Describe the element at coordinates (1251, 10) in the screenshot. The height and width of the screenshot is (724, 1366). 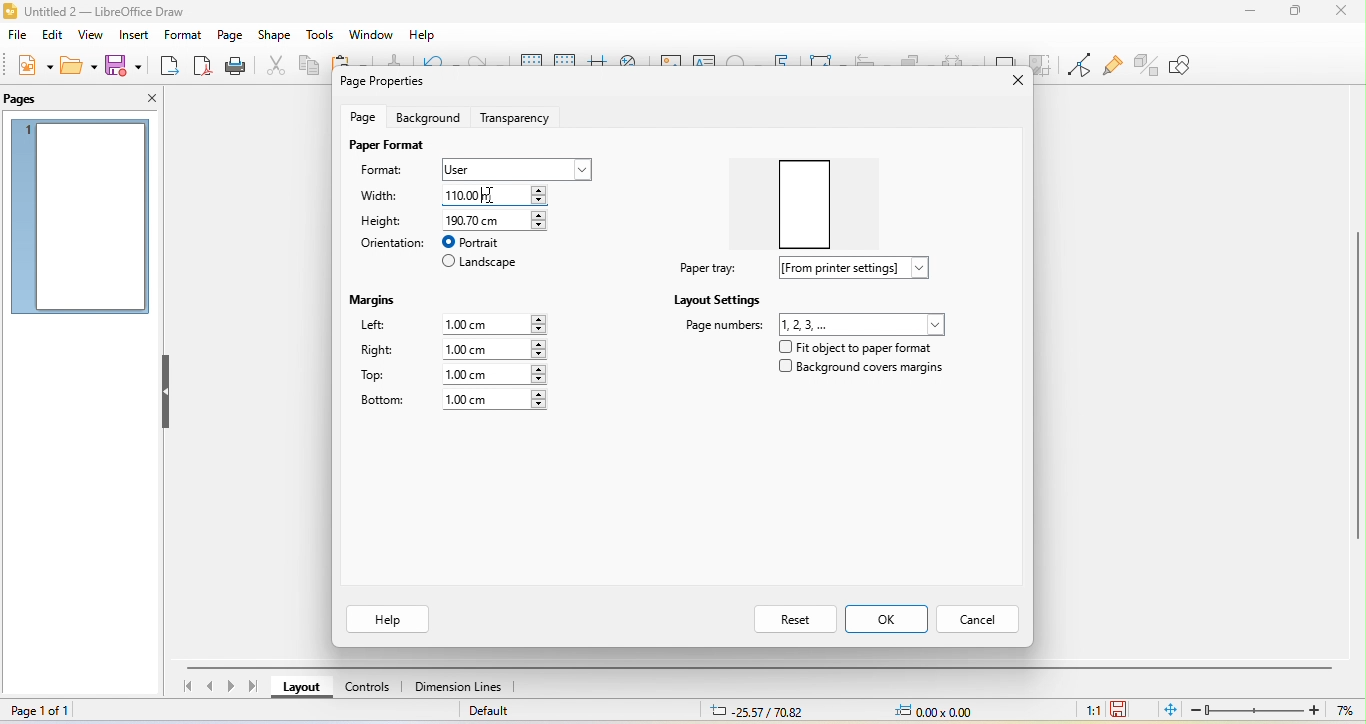
I see `minimize` at that location.